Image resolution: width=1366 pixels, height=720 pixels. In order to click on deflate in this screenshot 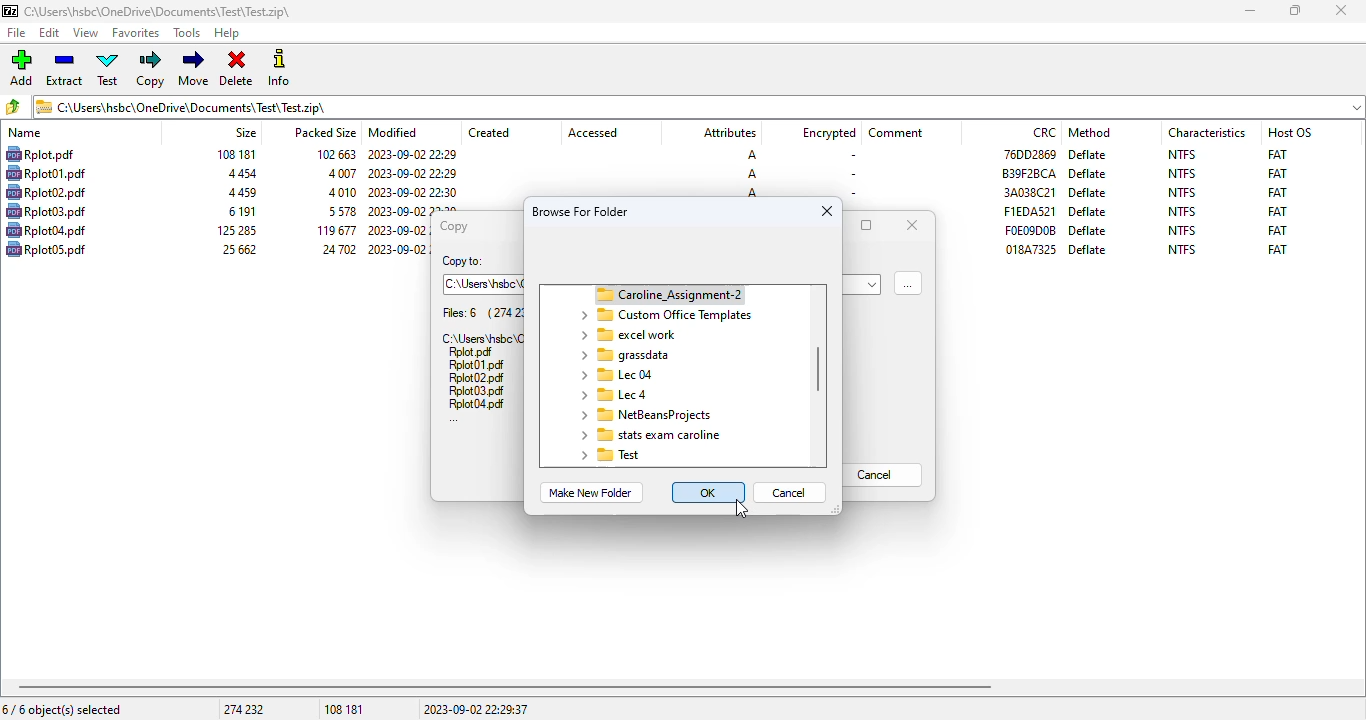, I will do `click(1088, 249)`.